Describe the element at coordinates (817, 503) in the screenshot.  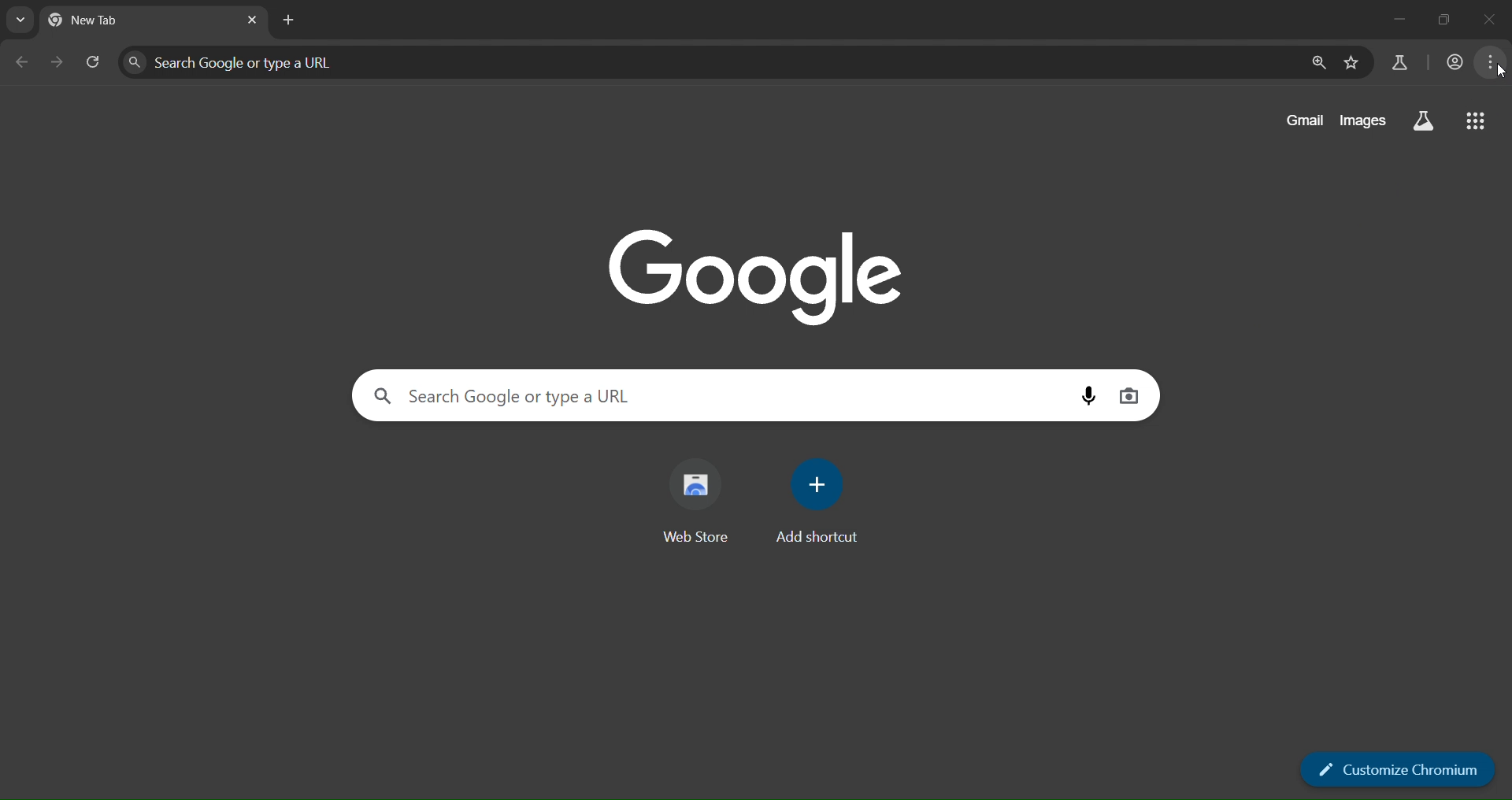
I see `add shortcut` at that location.